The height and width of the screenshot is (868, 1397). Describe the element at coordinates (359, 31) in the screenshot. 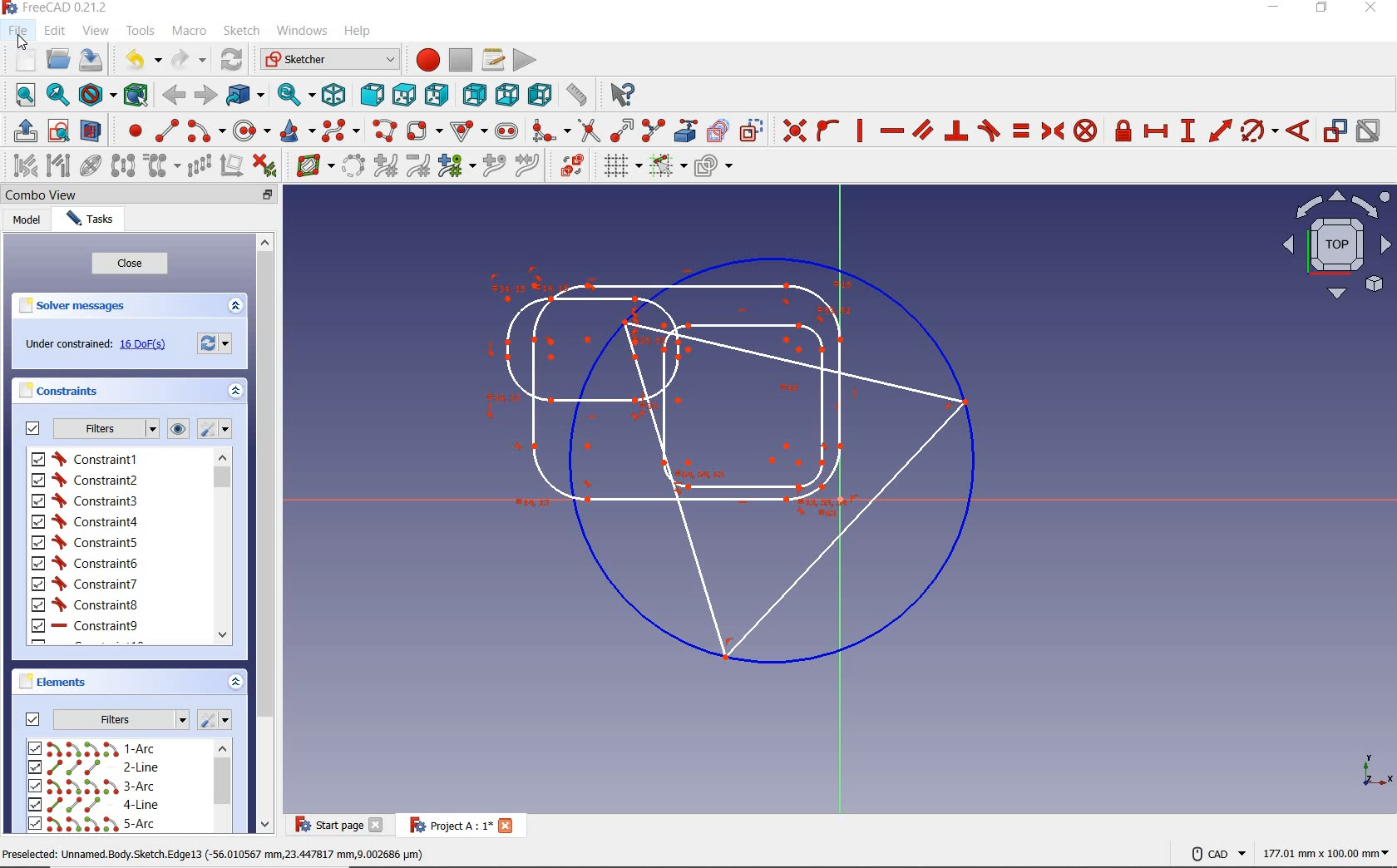

I see `help` at that location.